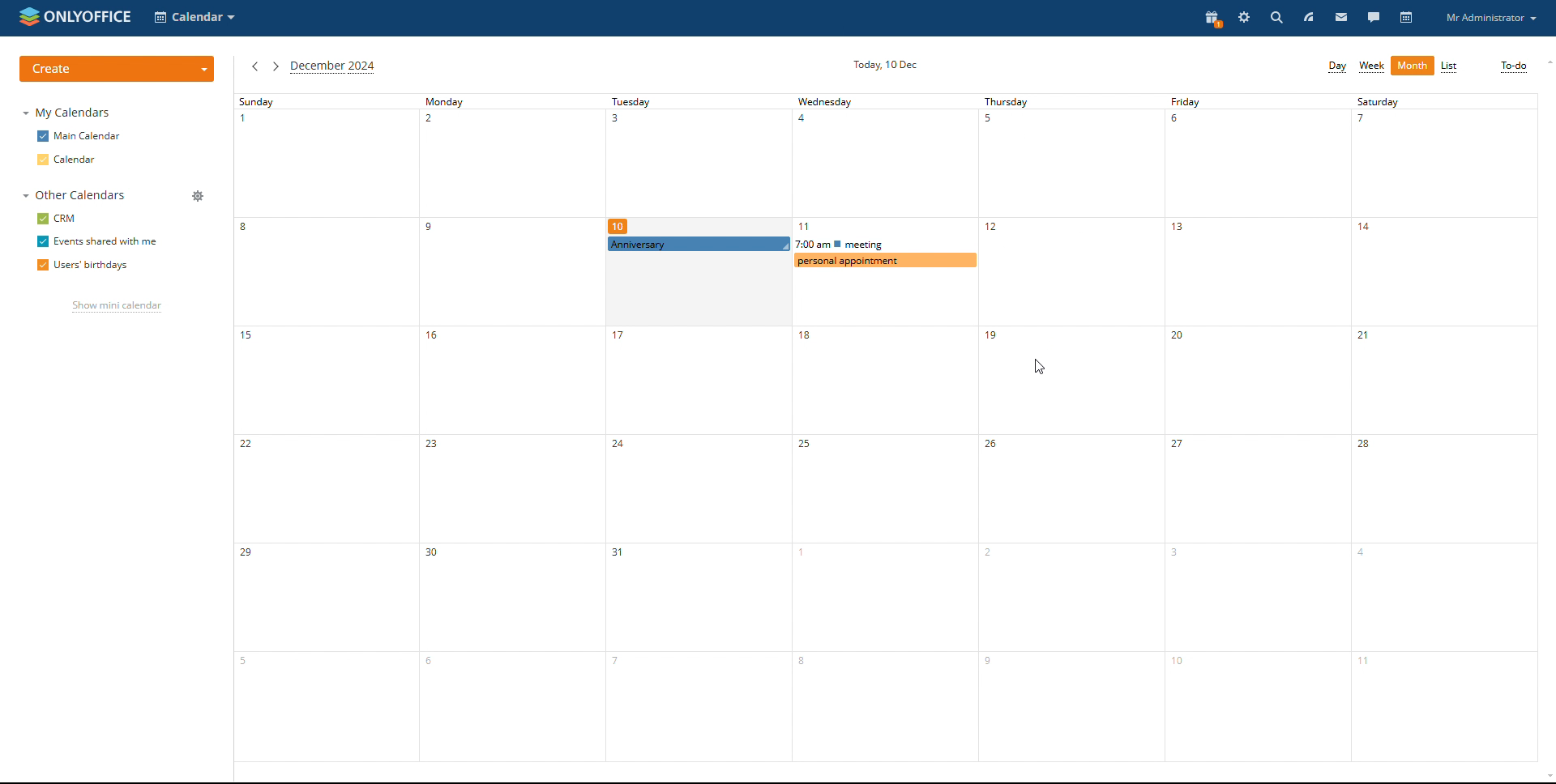  What do you see at coordinates (1072, 428) in the screenshot?
I see `thursday` at bounding box center [1072, 428].